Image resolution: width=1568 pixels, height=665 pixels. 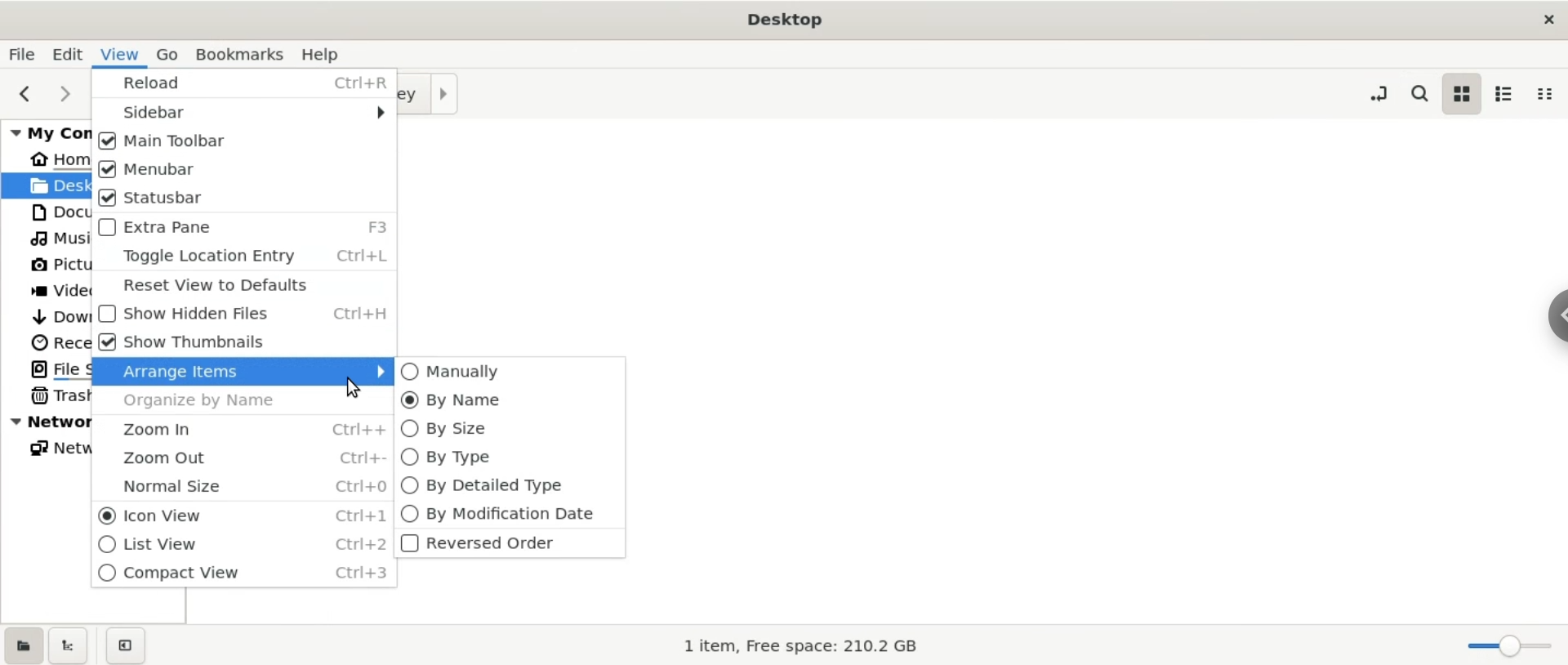 I want to click on show treeview, so click(x=67, y=644).